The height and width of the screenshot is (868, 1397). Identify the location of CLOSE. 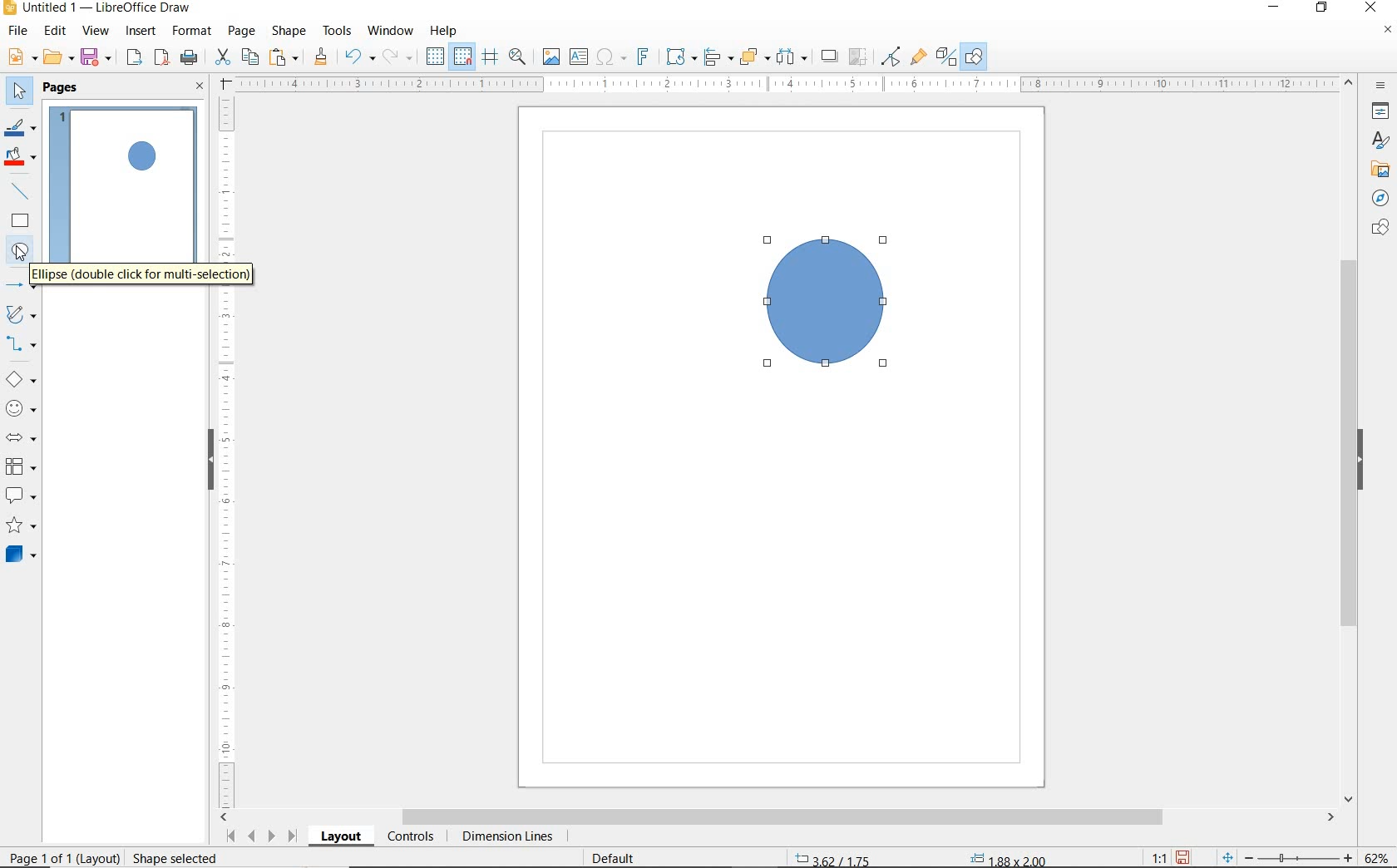
(200, 87).